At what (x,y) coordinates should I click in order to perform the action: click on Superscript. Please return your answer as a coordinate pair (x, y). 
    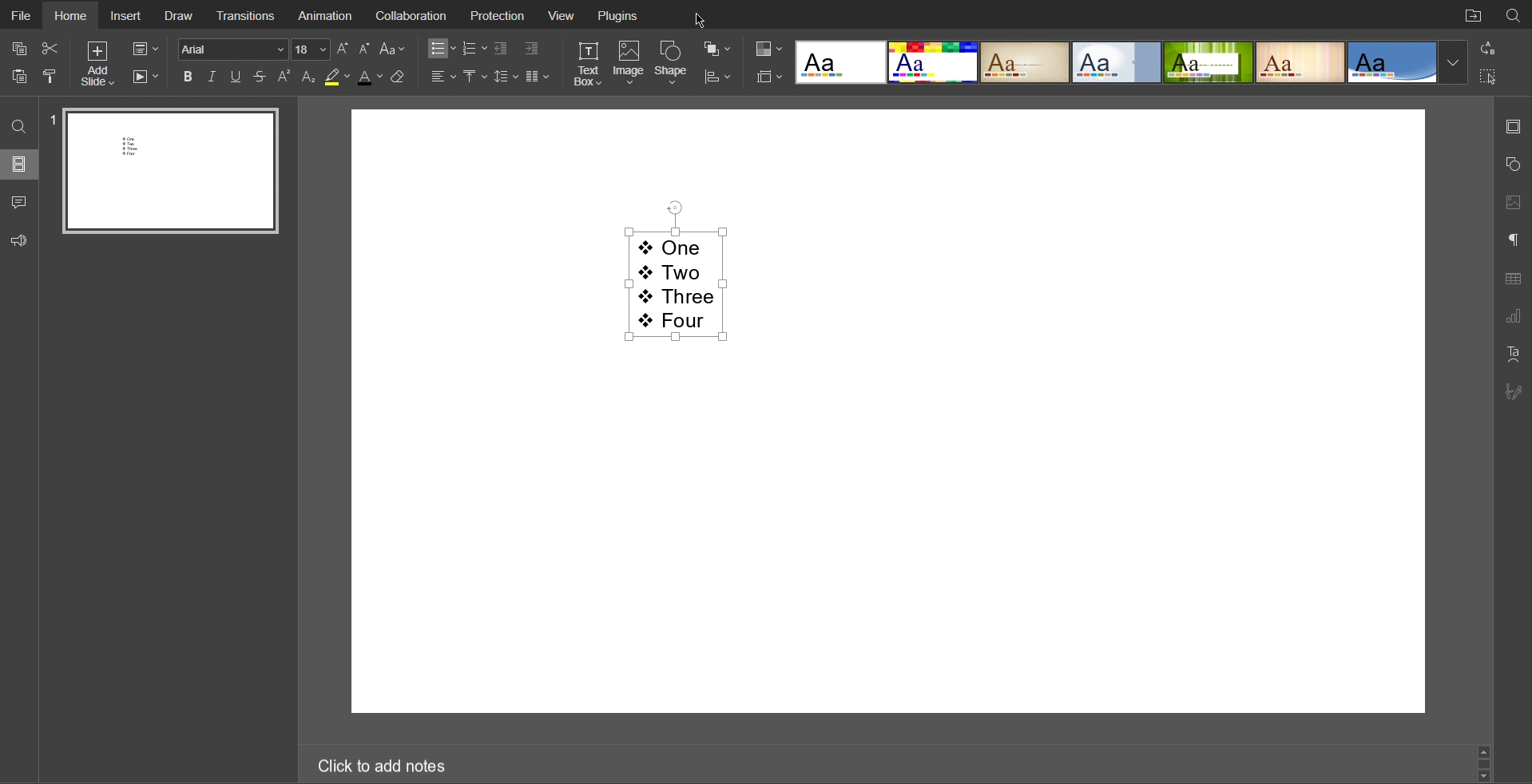
    Looking at the image, I should click on (284, 77).